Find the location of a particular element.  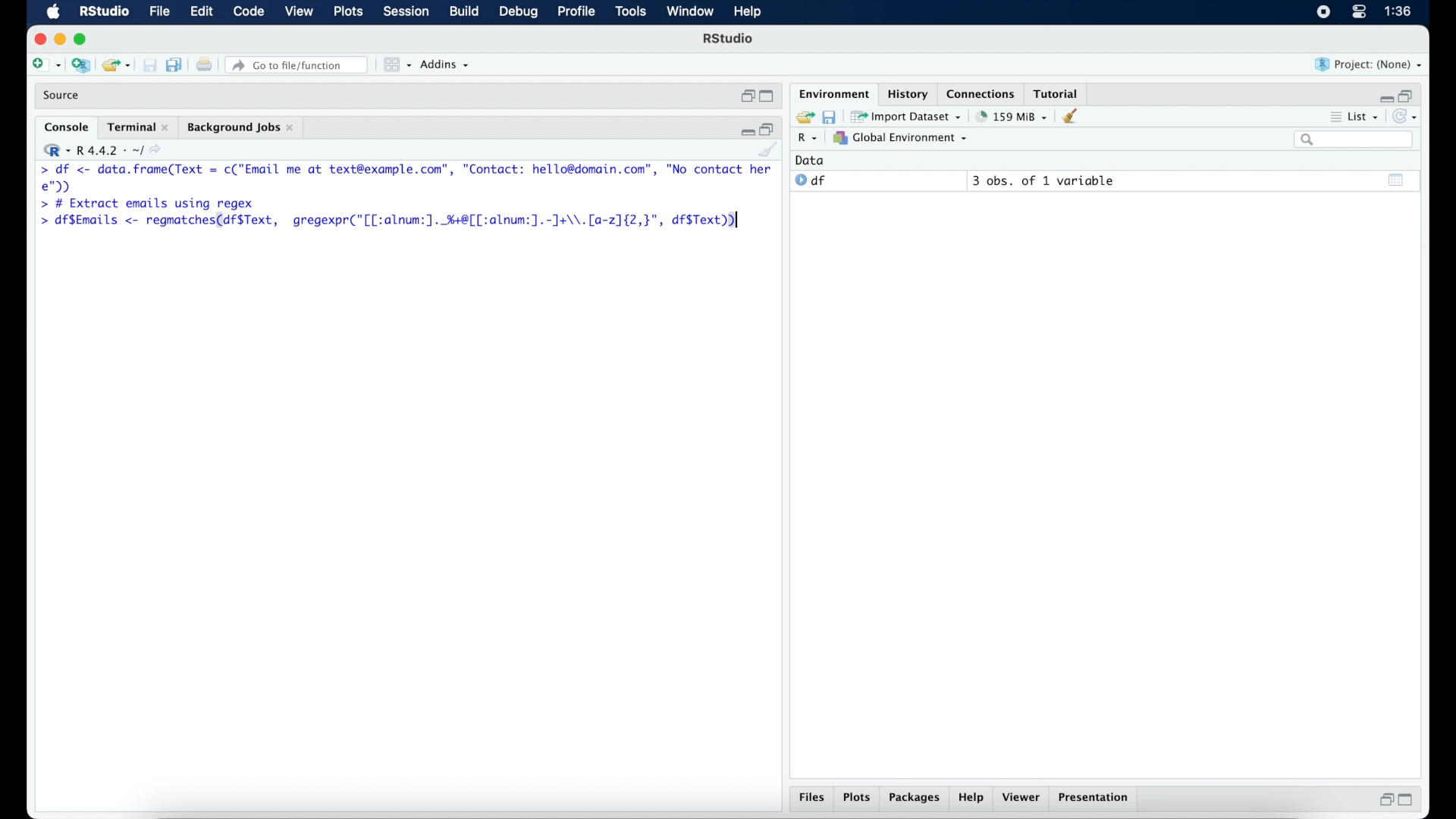

create new file is located at coordinates (45, 65).